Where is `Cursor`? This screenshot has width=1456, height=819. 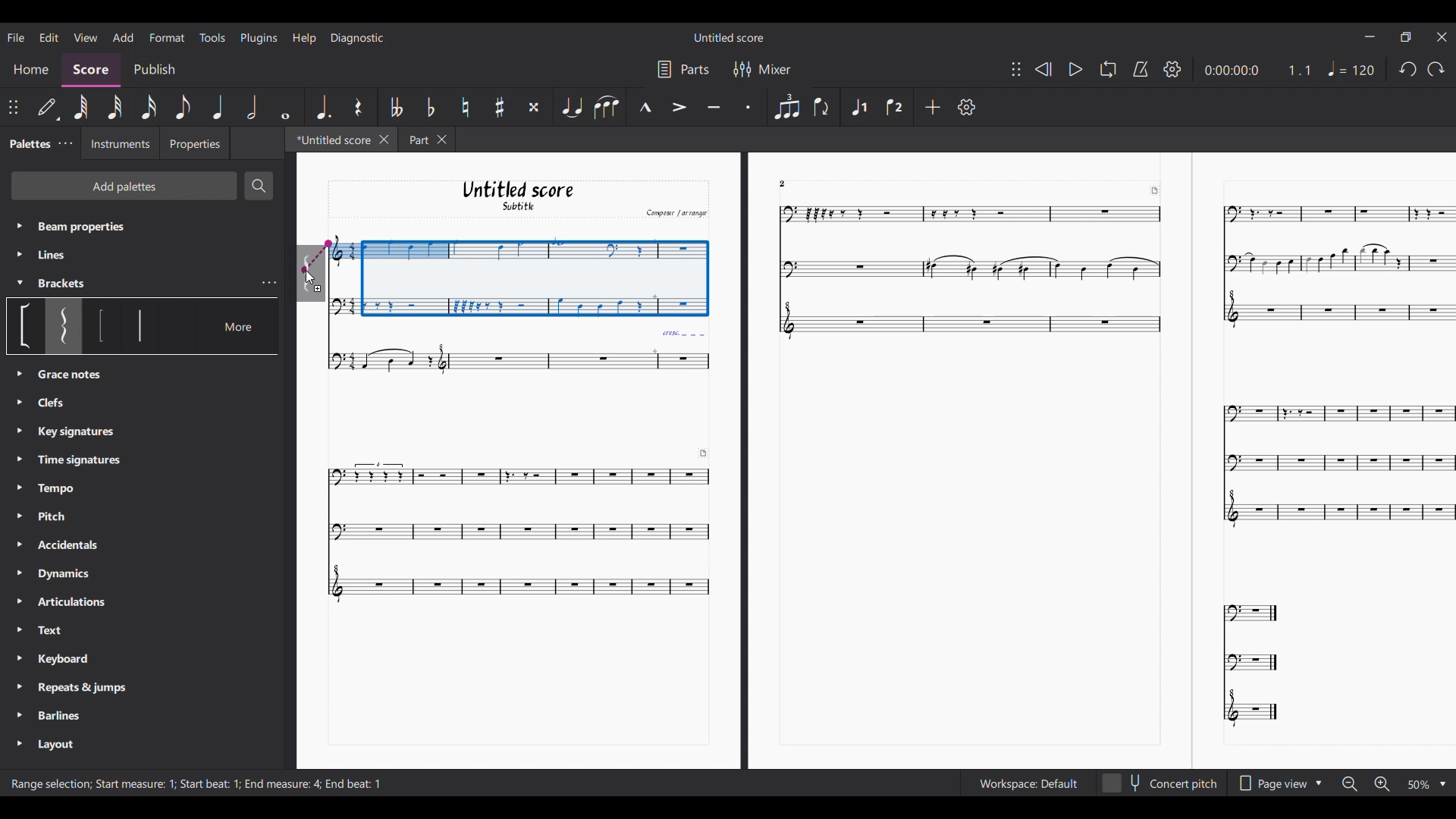 Cursor is located at coordinates (312, 278).